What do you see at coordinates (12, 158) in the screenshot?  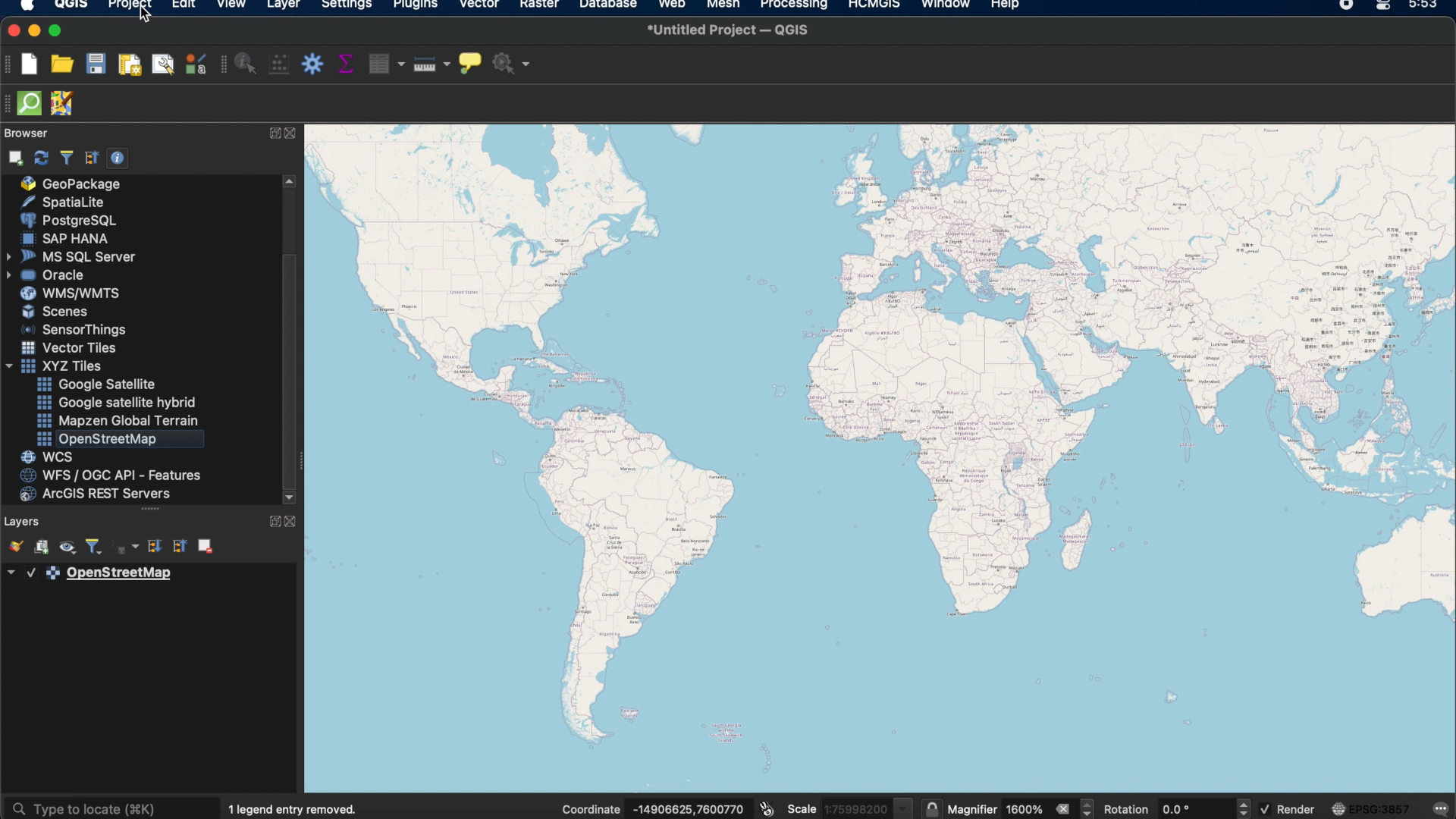 I see `add selection layers` at bounding box center [12, 158].